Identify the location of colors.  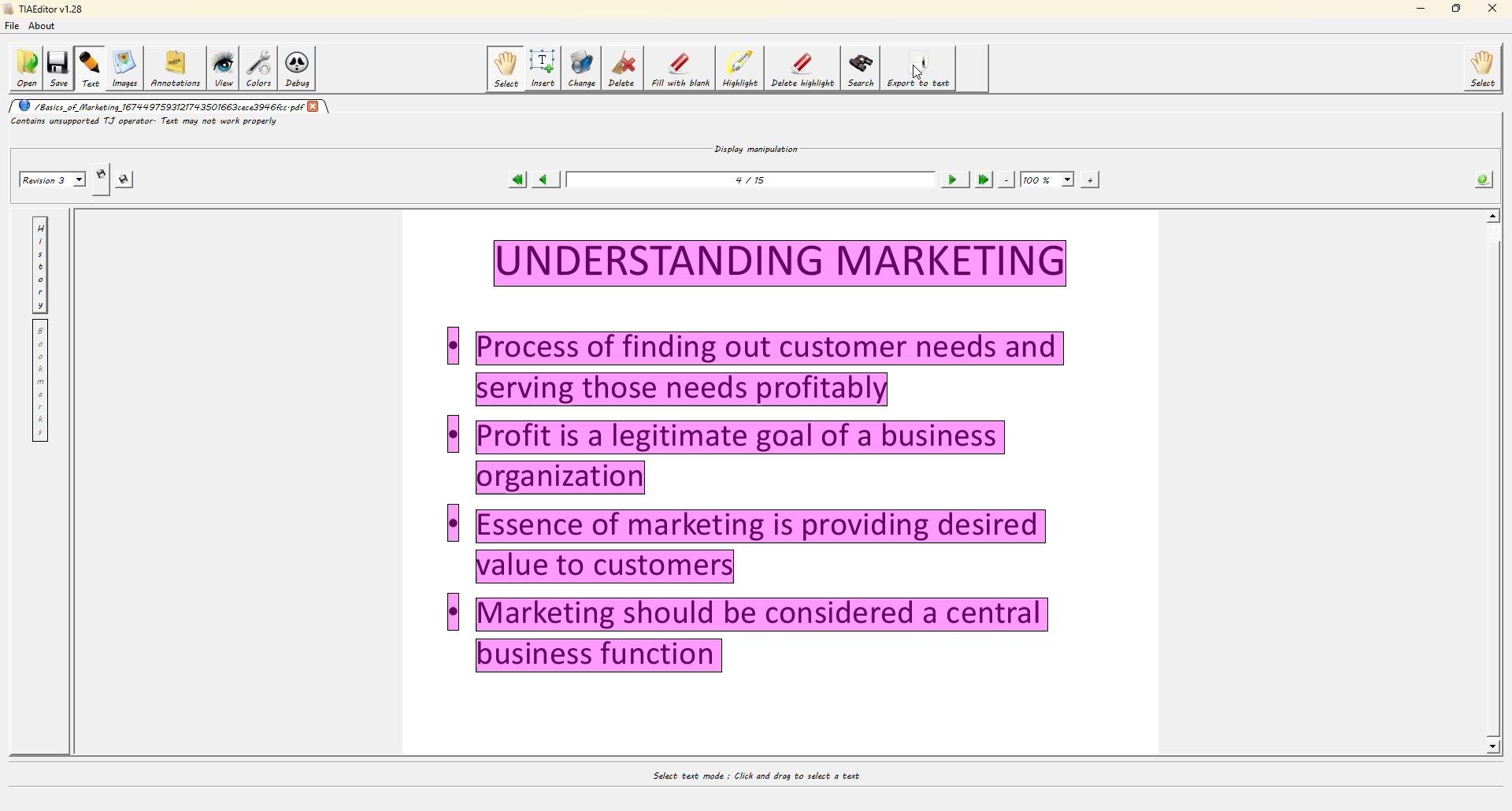
(258, 69).